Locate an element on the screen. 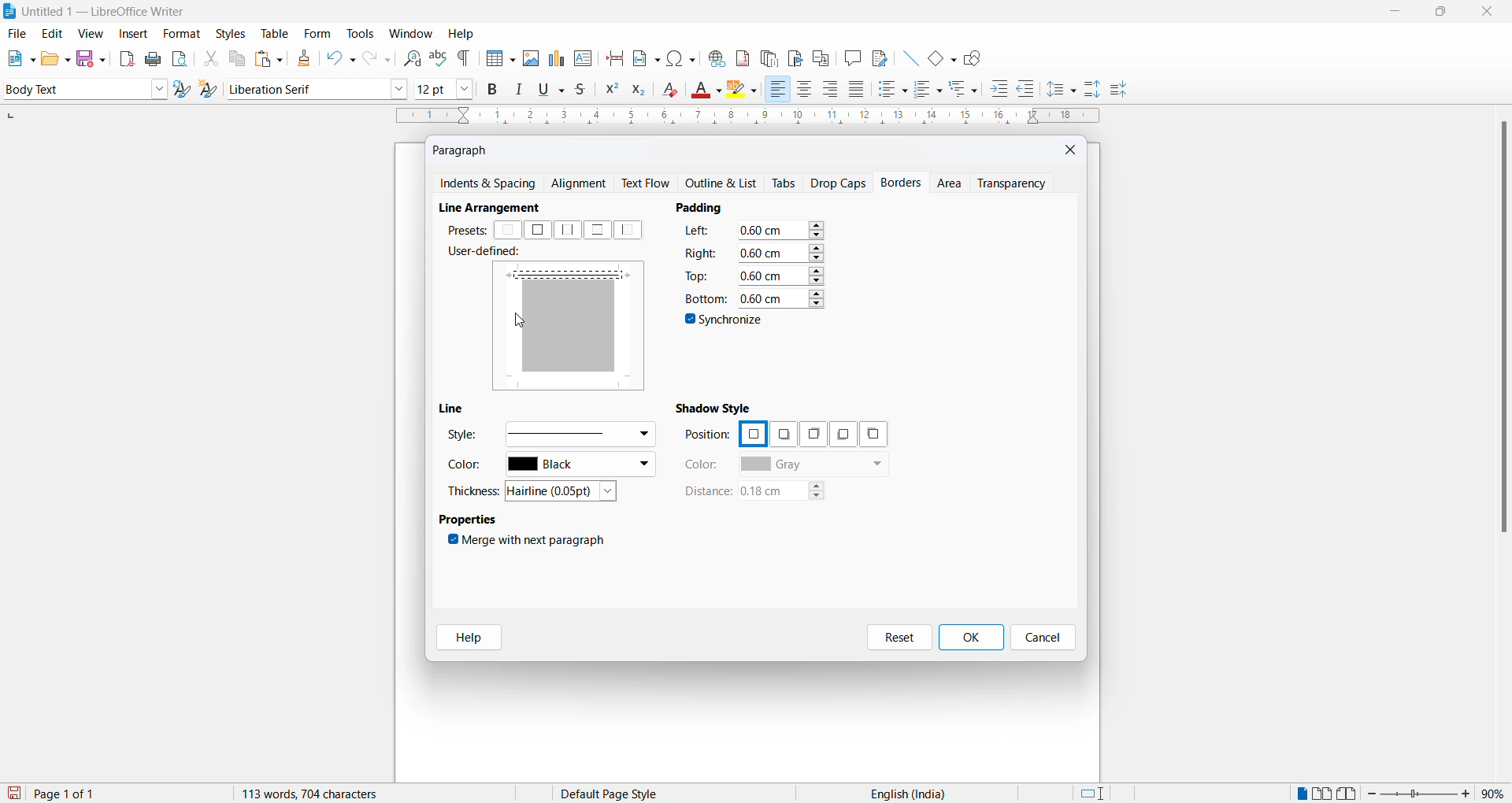 The image size is (1512, 803). open is located at coordinates (55, 58).